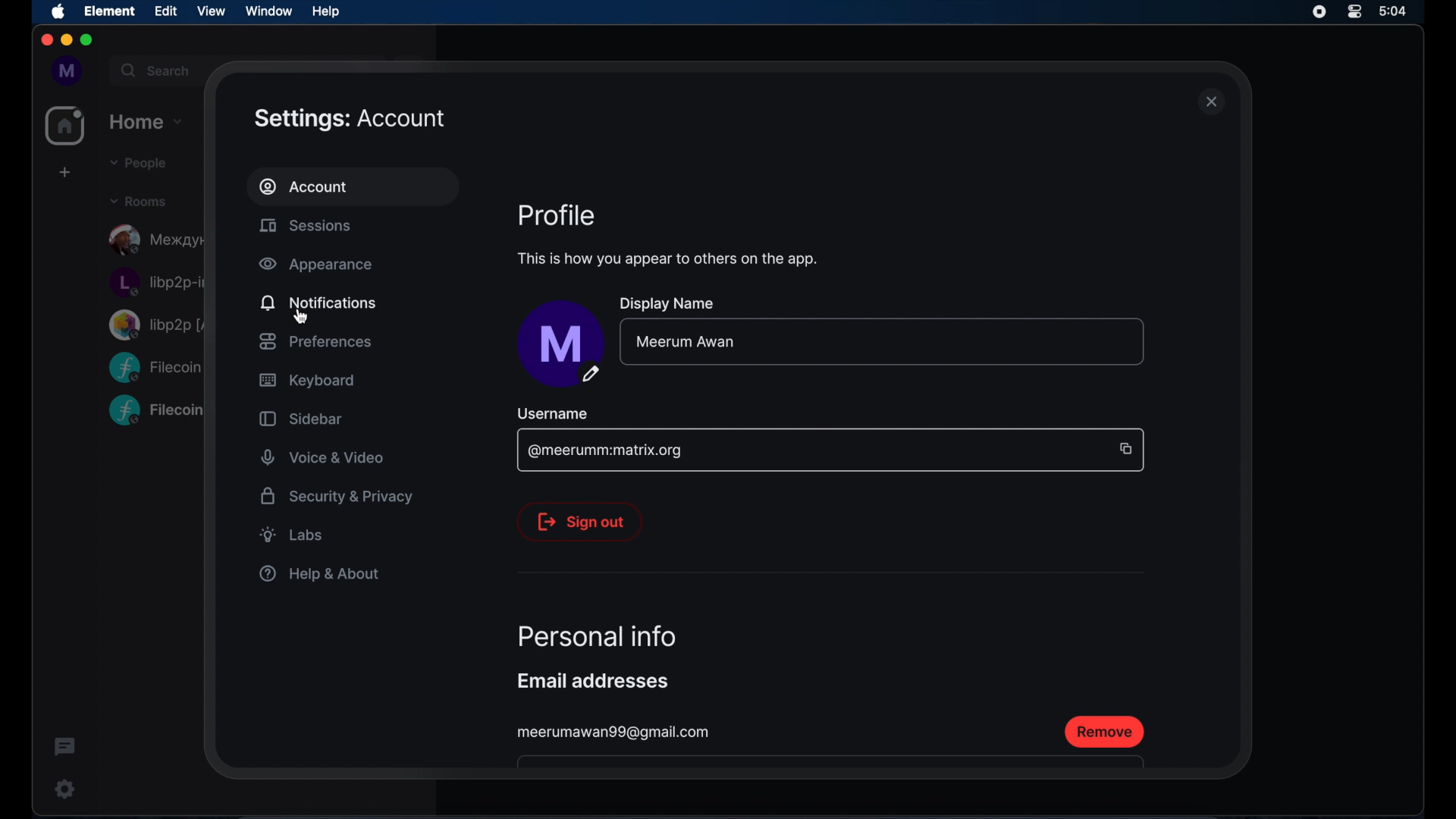 The width and height of the screenshot is (1456, 819). What do you see at coordinates (605, 451) in the screenshot?
I see `@meerumm:matrix.org` at bounding box center [605, 451].